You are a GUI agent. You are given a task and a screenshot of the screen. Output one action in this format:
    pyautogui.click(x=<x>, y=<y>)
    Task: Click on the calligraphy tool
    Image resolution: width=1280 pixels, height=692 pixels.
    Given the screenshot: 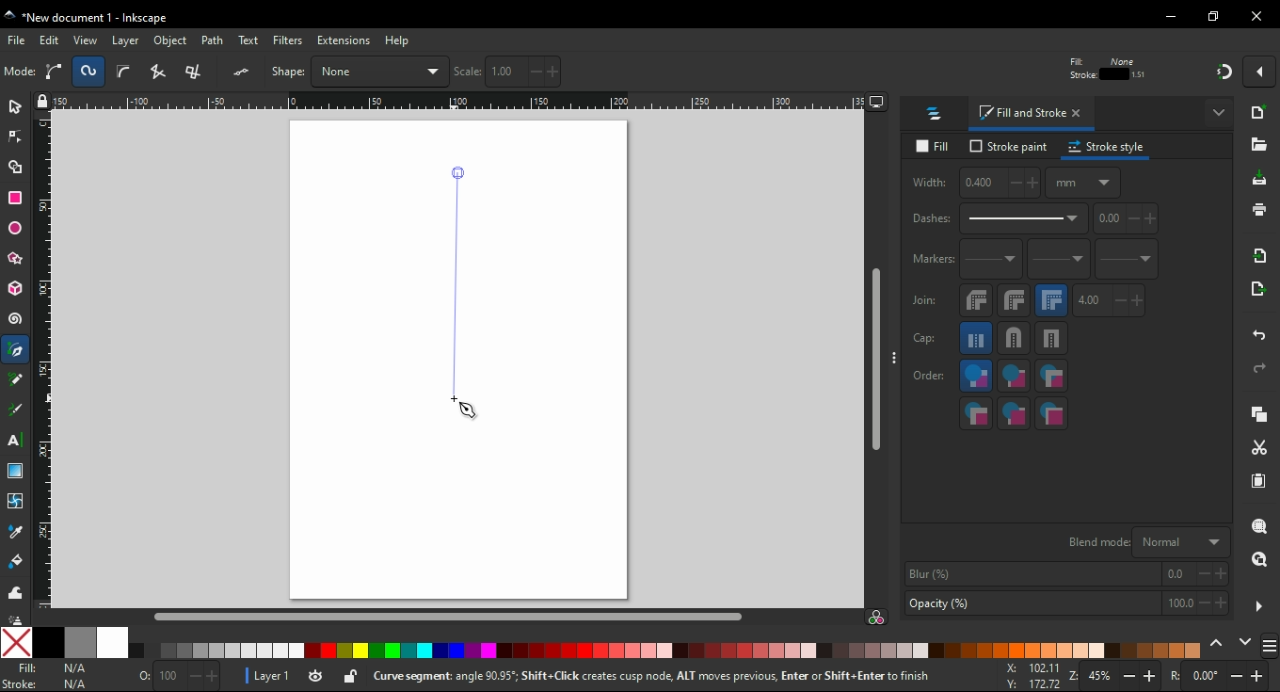 What is the action you would take?
    pyautogui.click(x=16, y=410)
    